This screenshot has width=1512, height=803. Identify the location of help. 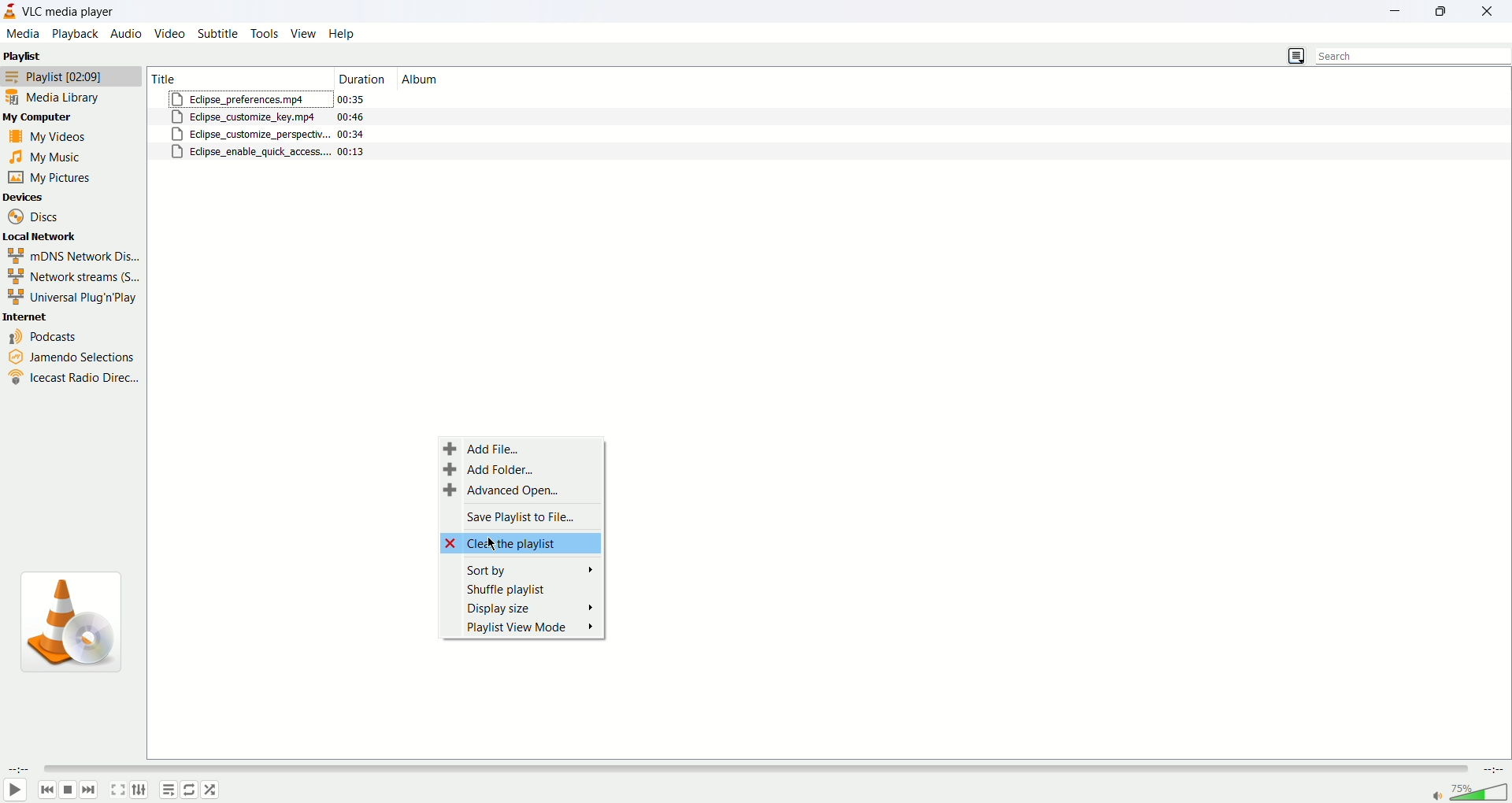
(343, 32).